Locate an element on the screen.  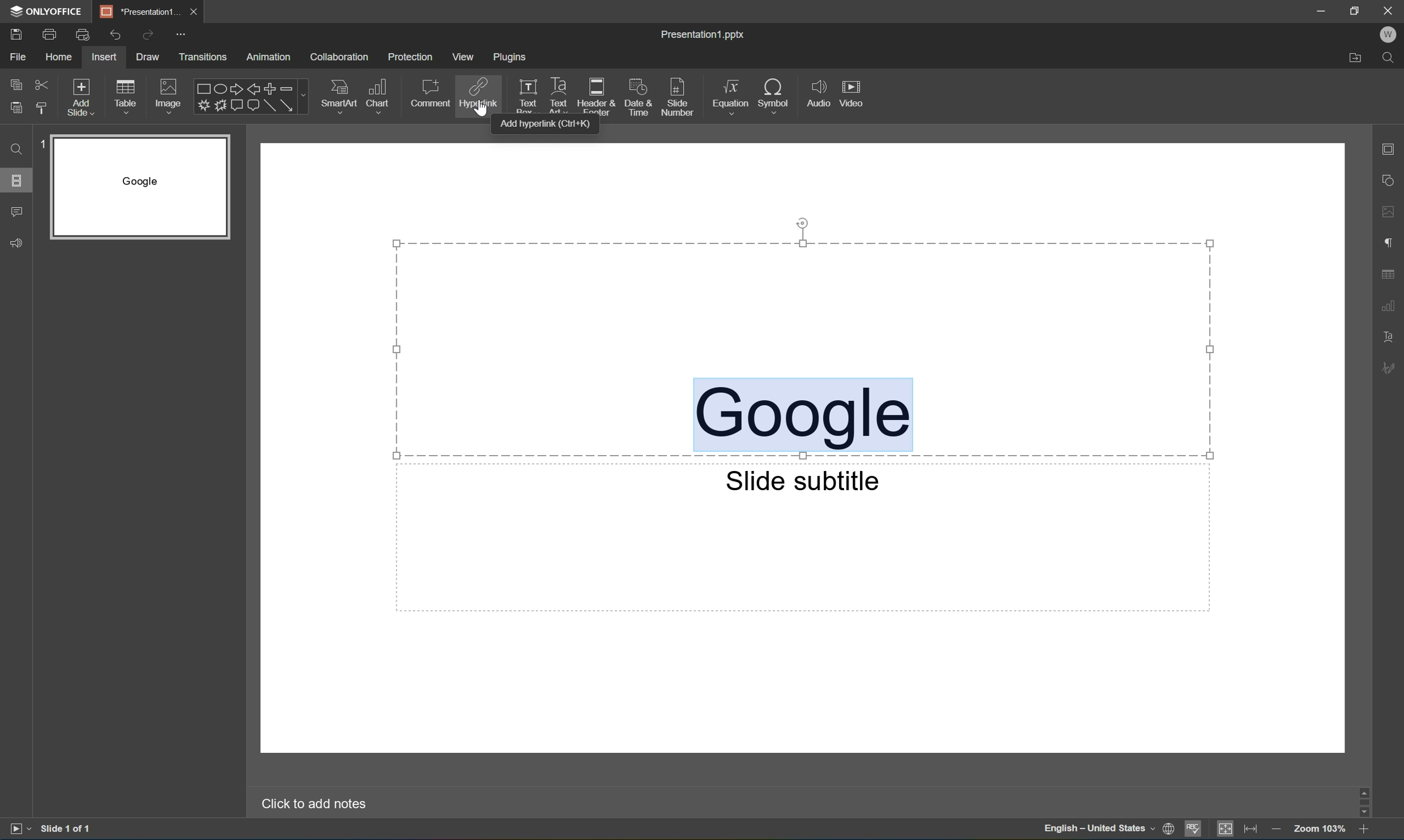
Home is located at coordinates (61, 57).